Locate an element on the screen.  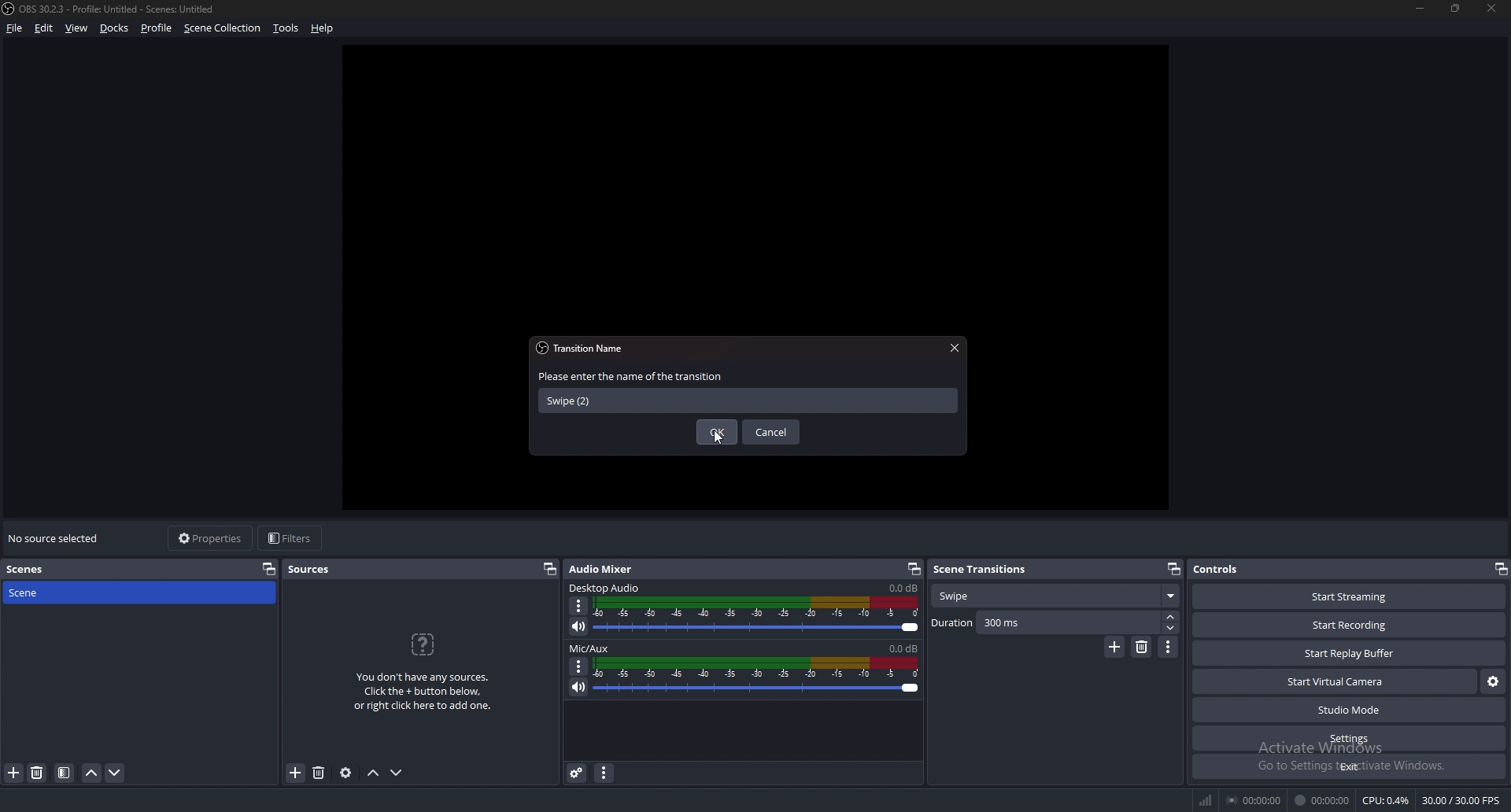
move down is located at coordinates (397, 773).